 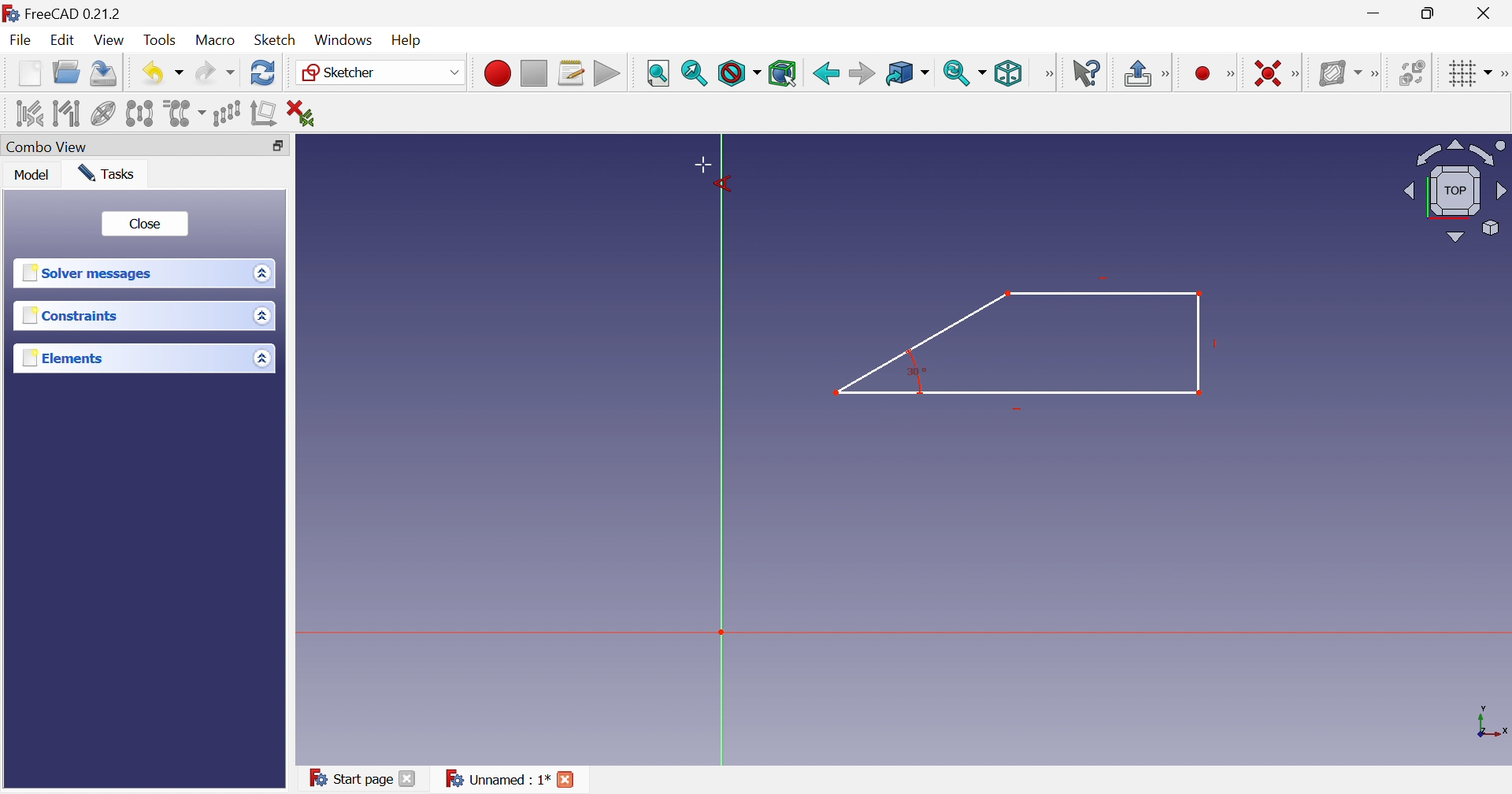 What do you see at coordinates (413, 39) in the screenshot?
I see `Help` at bounding box center [413, 39].